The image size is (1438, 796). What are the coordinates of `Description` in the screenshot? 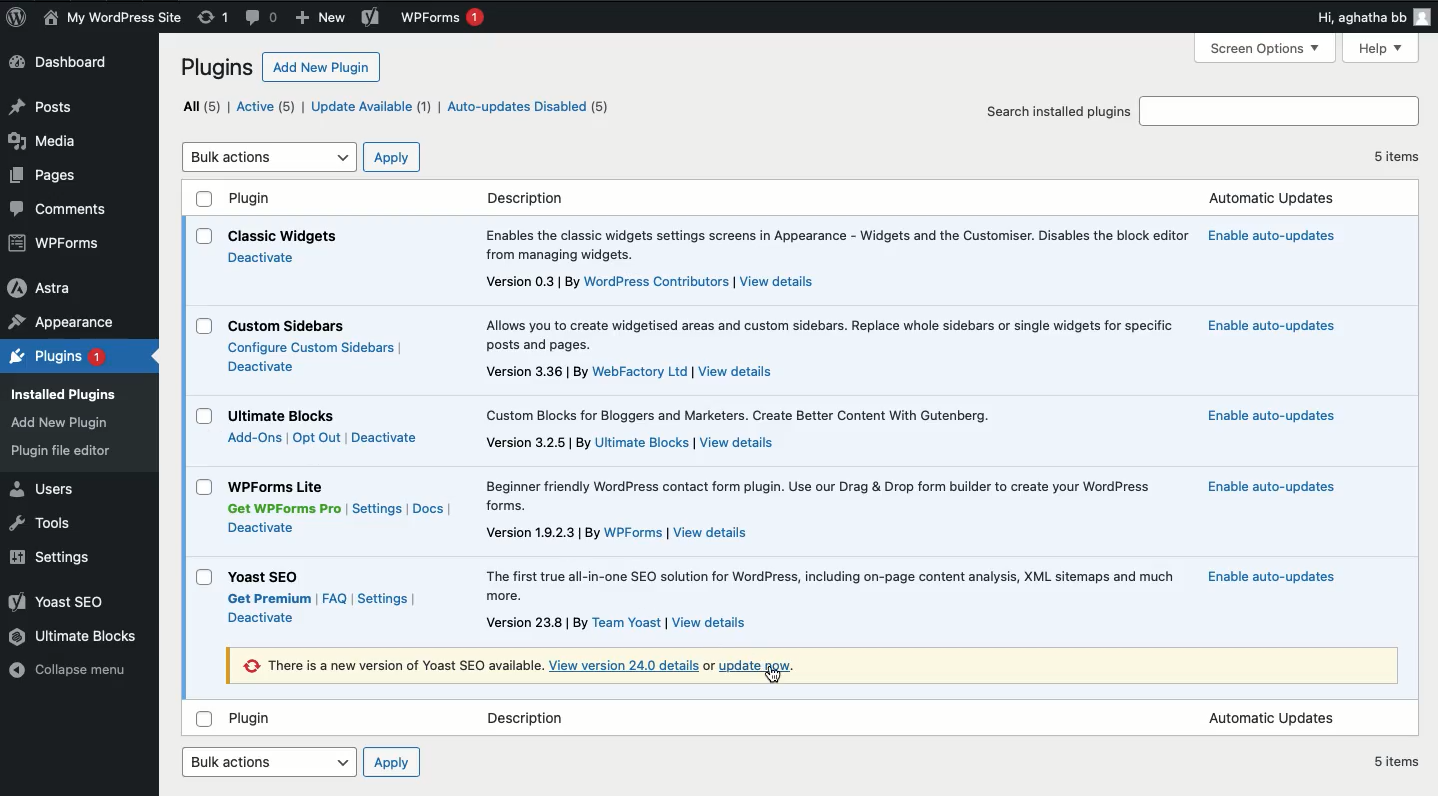 It's located at (651, 283).